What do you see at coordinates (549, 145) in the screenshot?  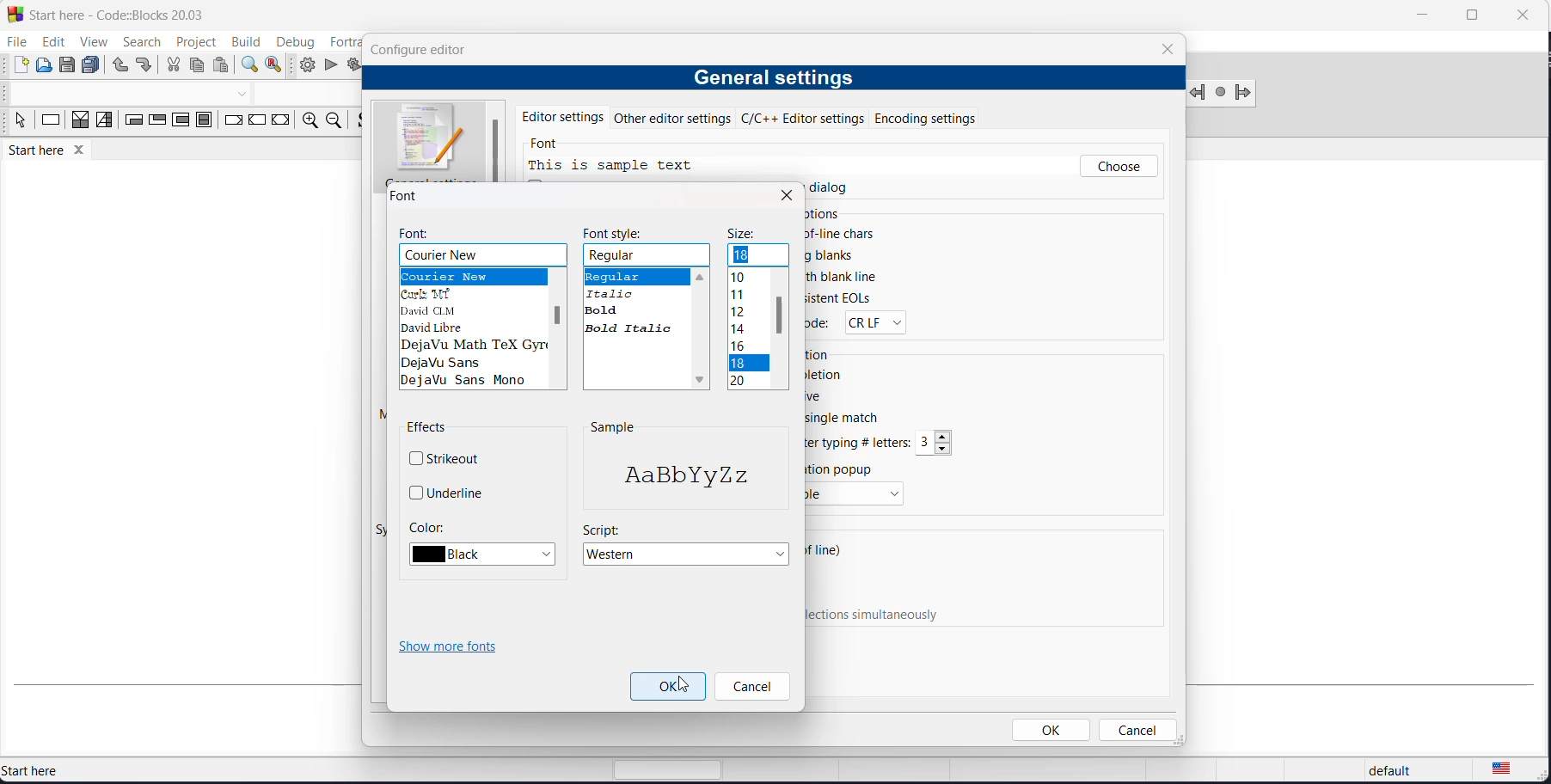 I see `font` at bounding box center [549, 145].